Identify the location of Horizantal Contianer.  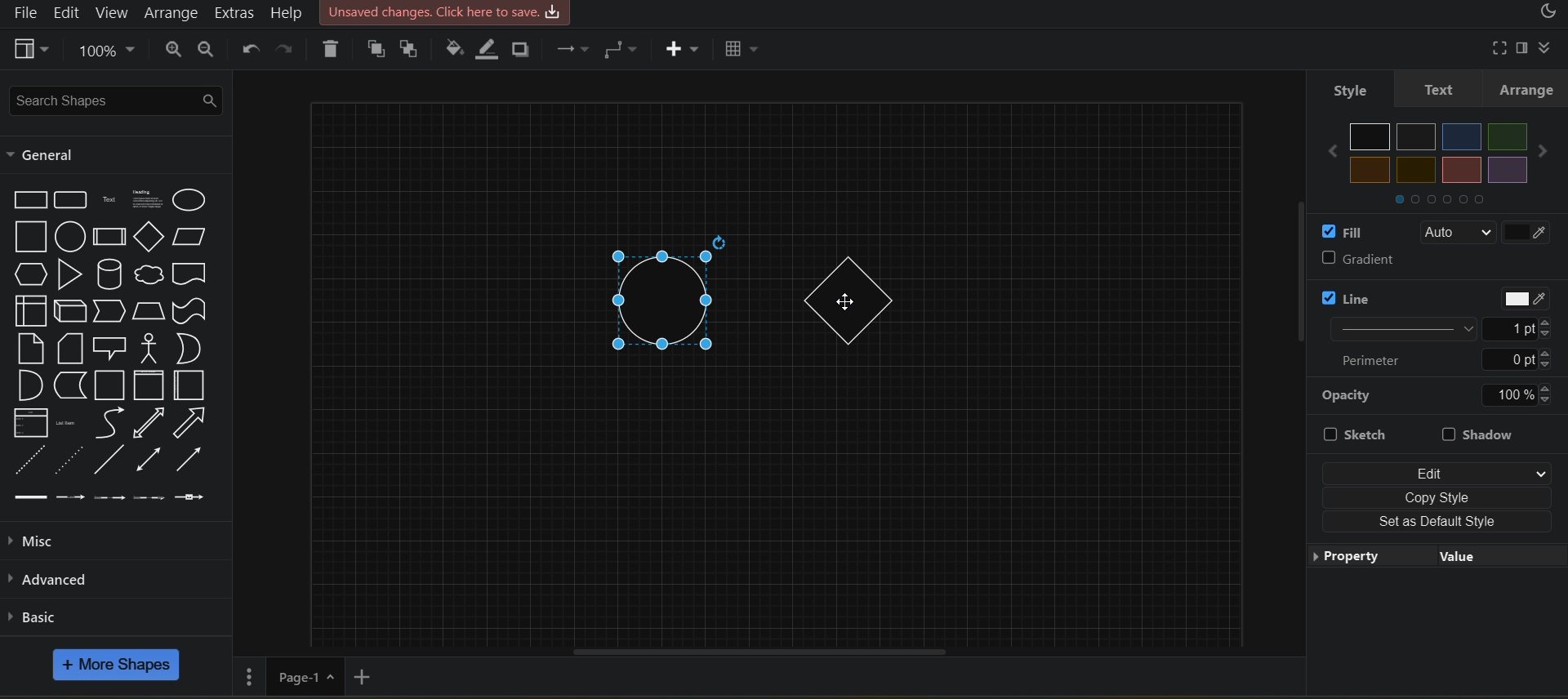
(189, 385).